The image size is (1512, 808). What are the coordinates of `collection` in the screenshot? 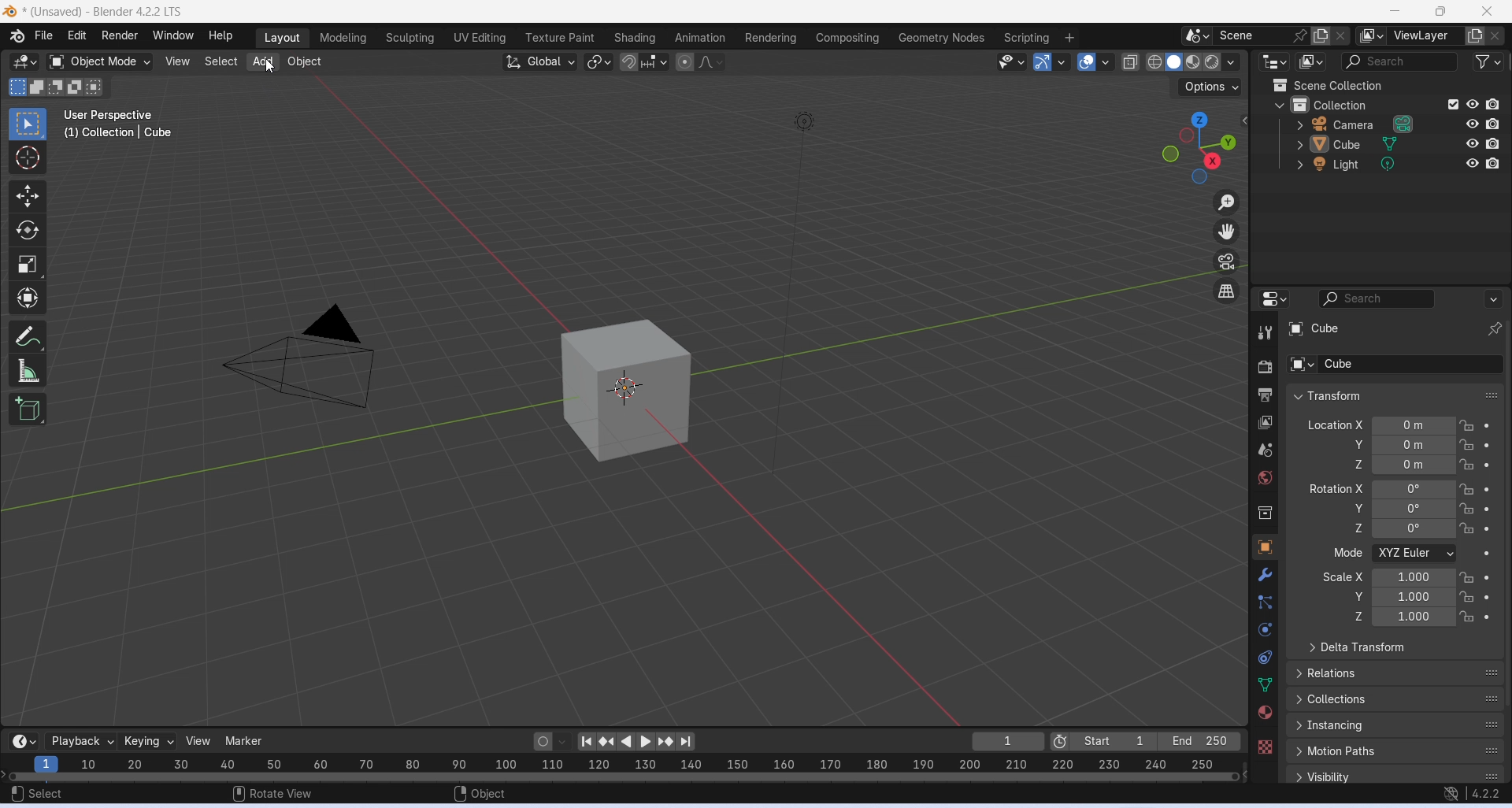 It's located at (1266, 514).